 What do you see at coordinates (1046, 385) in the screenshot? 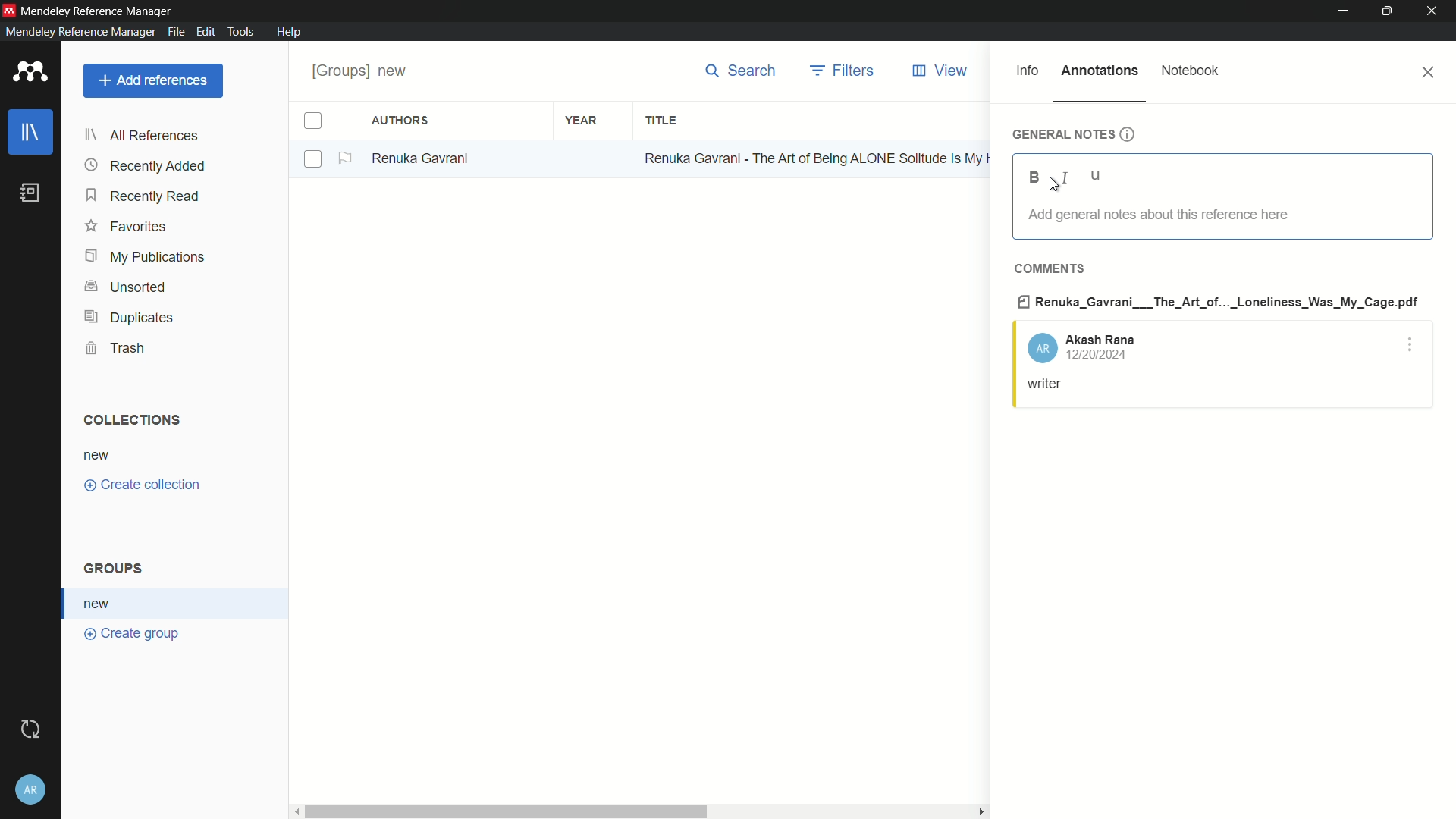
I see `note` at bounding box center [1046, 385].